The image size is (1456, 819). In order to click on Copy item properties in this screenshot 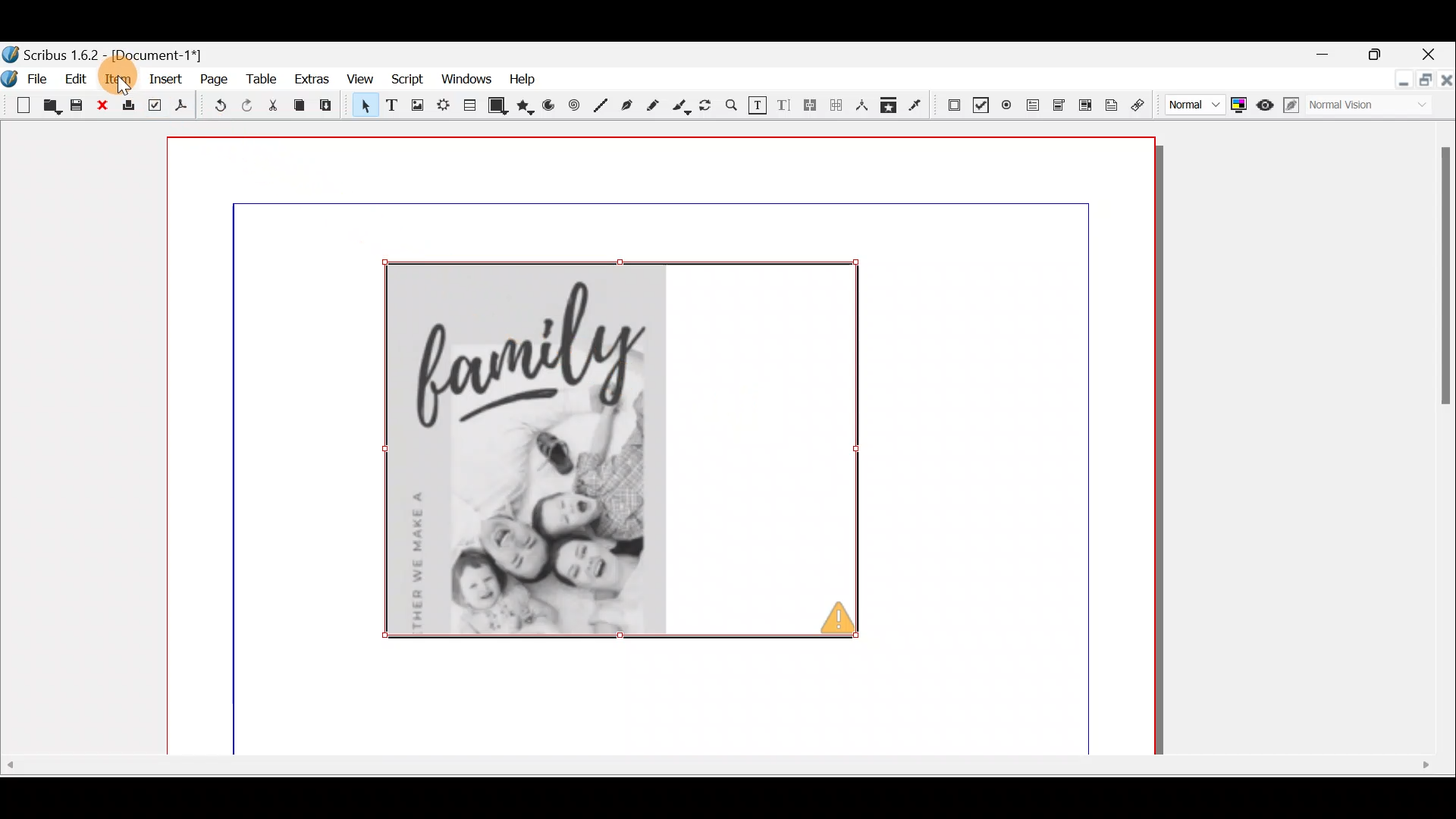, I will do `click(893, 107)`.